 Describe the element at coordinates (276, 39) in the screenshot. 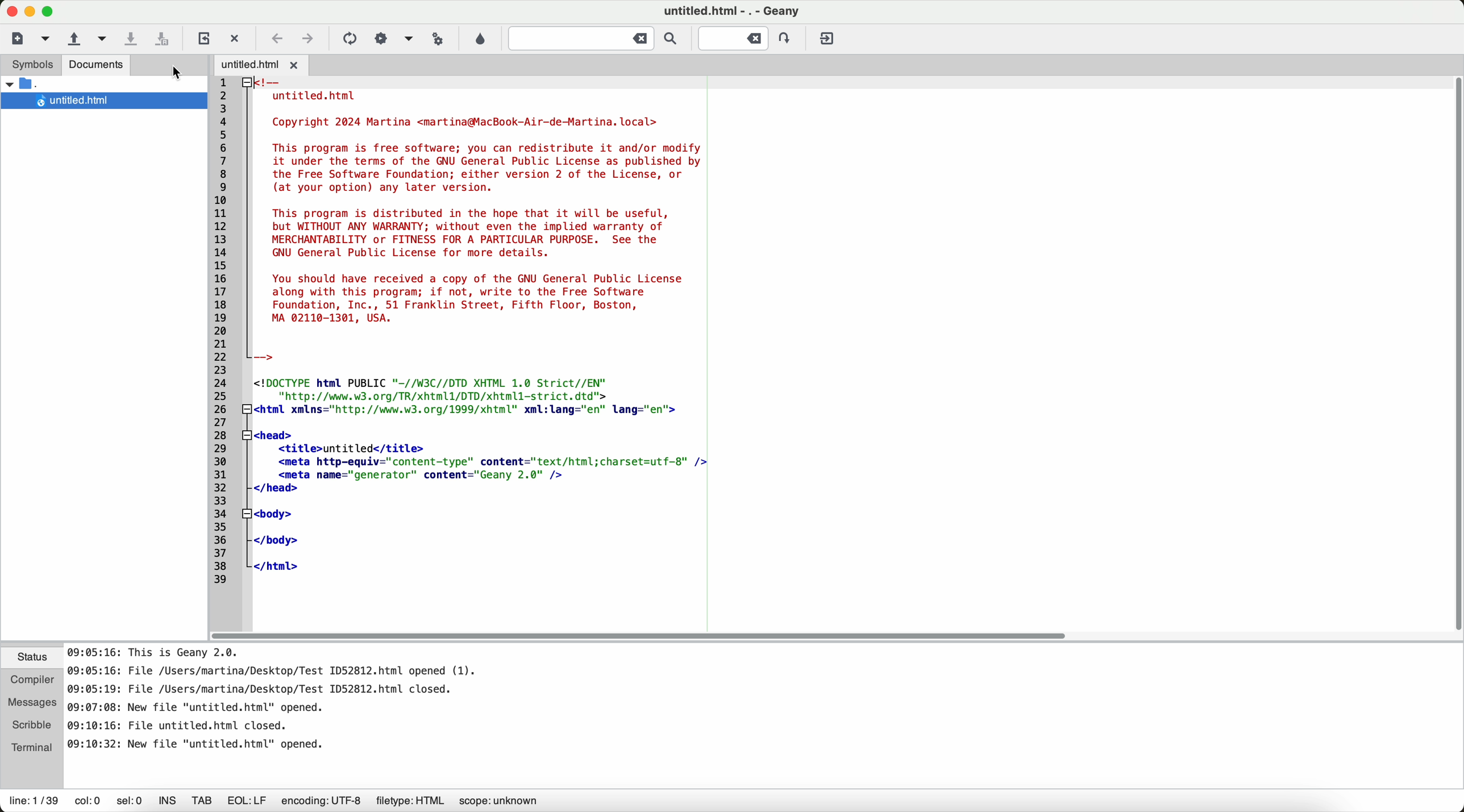

I see `navigate back` at that location.